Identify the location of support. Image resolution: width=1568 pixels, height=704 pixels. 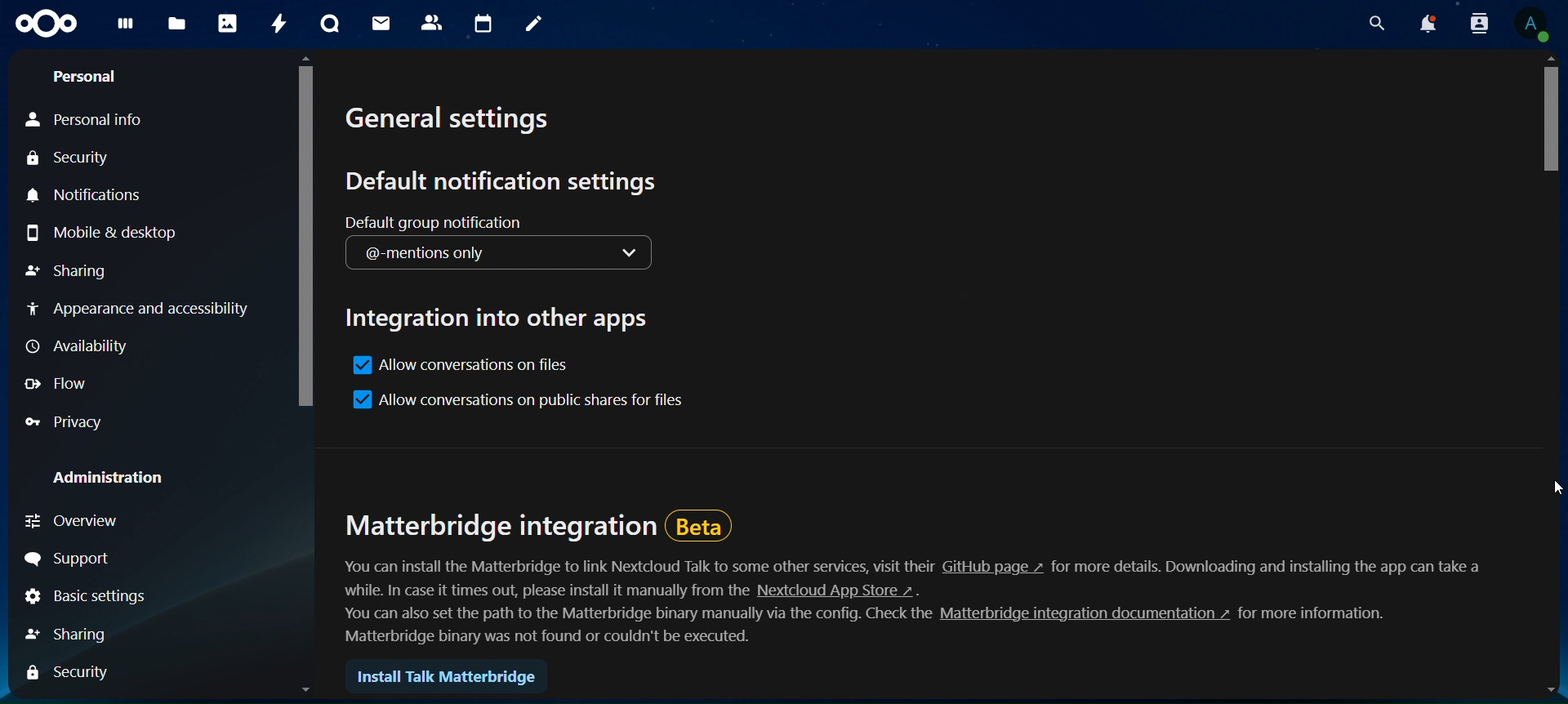
(80, 561).